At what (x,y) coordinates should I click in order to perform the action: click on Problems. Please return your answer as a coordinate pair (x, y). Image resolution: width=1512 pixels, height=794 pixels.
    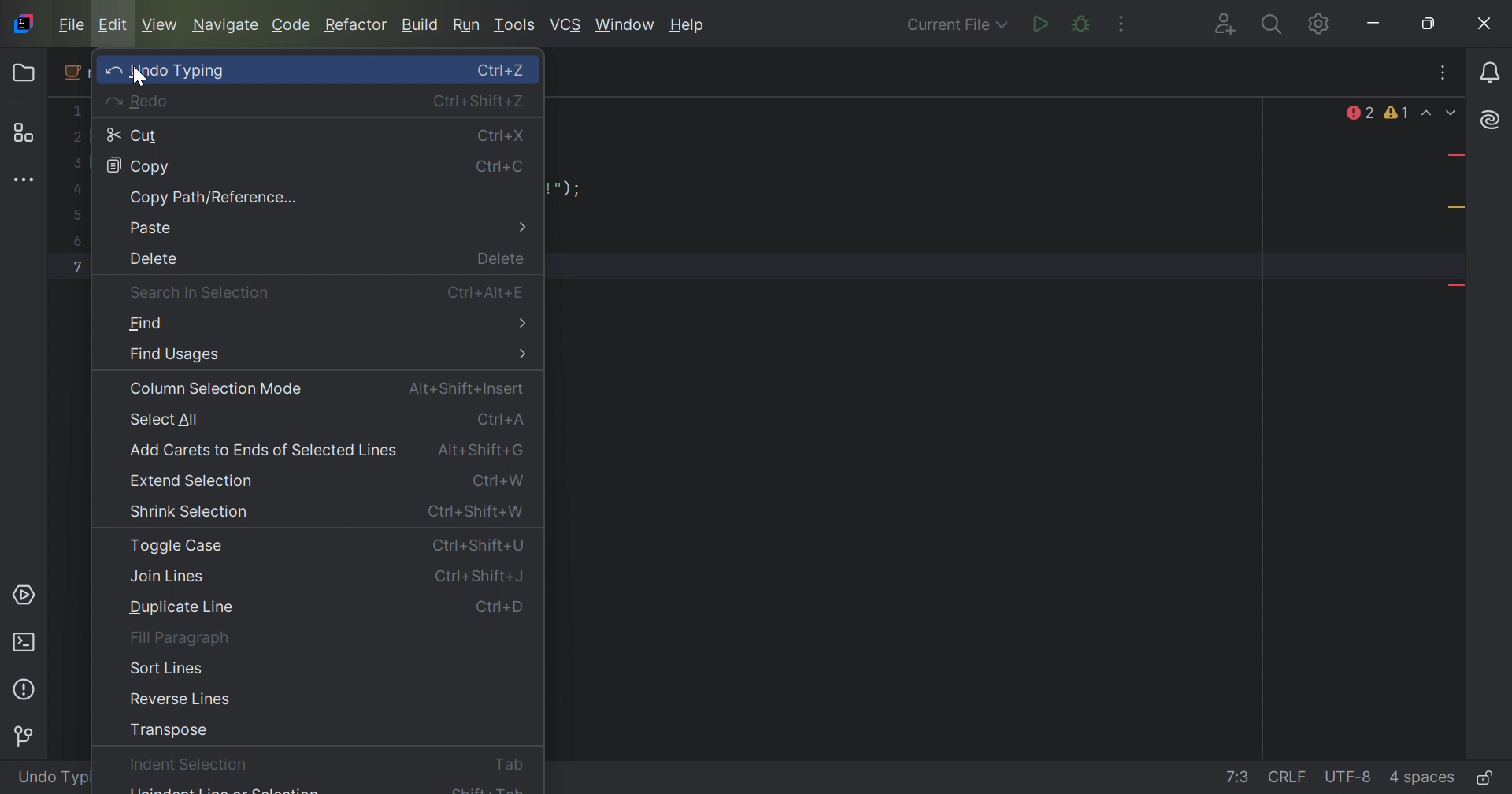
    Looking at the image, I should click on (26, 689).